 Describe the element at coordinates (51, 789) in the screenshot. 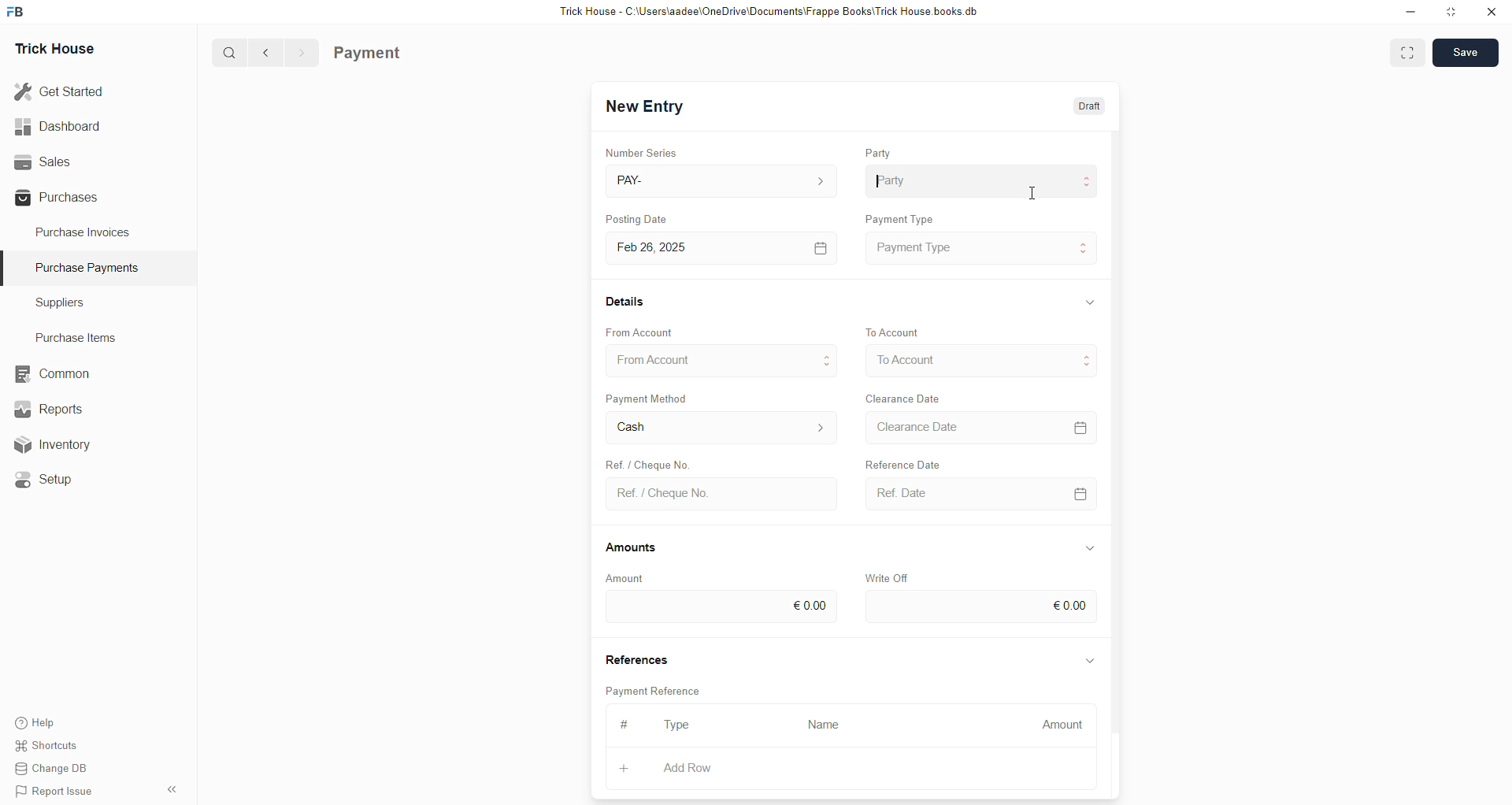

I see `Report Issue` at that location.